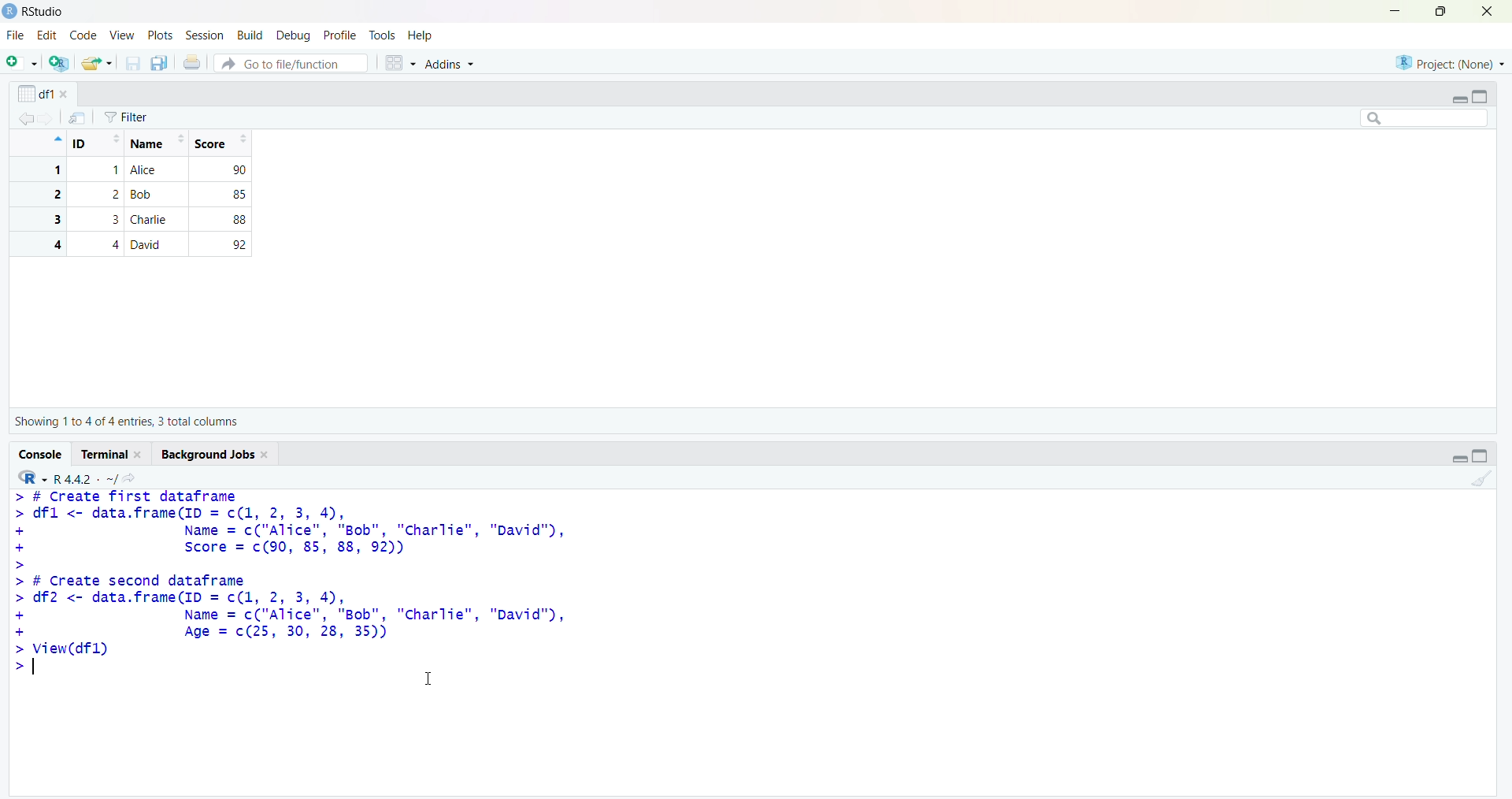 Image resolution: width=1512 pixels, height=799 pixels. Describe the element at coordinates (1479, 97) in the screenshot. I see `toggle full view` at that location.